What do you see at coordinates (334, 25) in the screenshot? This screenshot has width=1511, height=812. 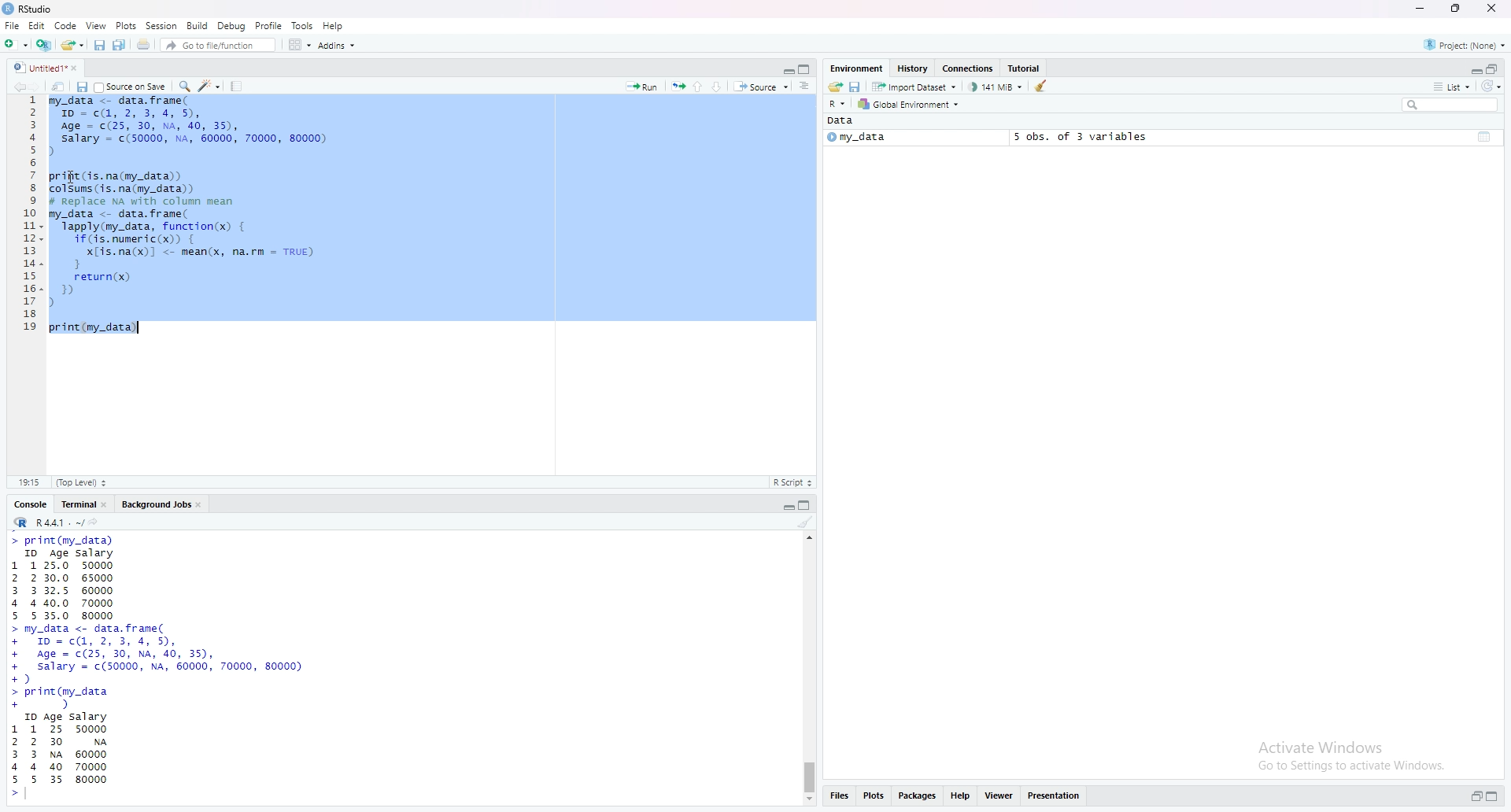 I see `Help` at bounding box center [334, 25].